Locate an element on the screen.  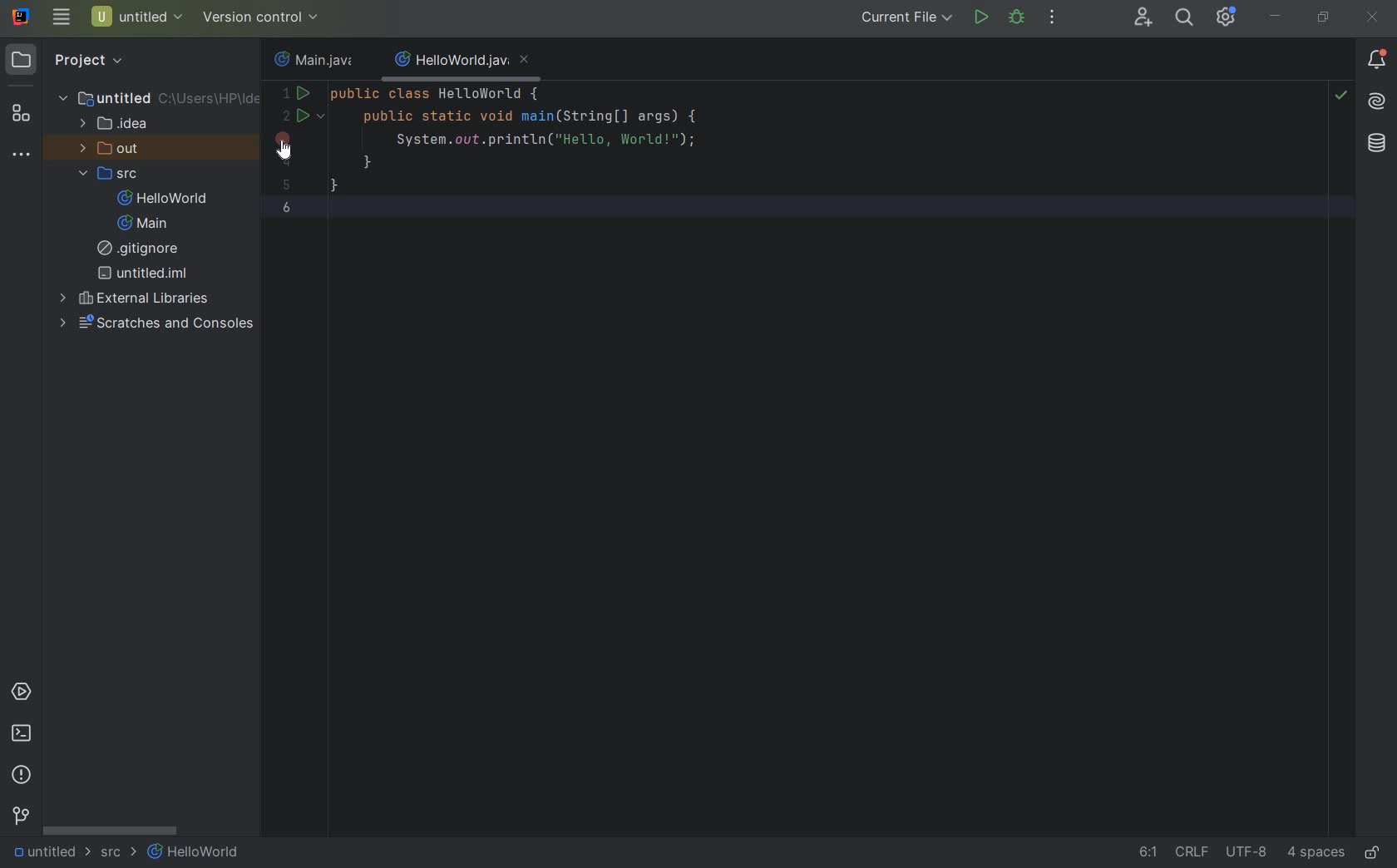
version control is located at coordinates (21, 818).